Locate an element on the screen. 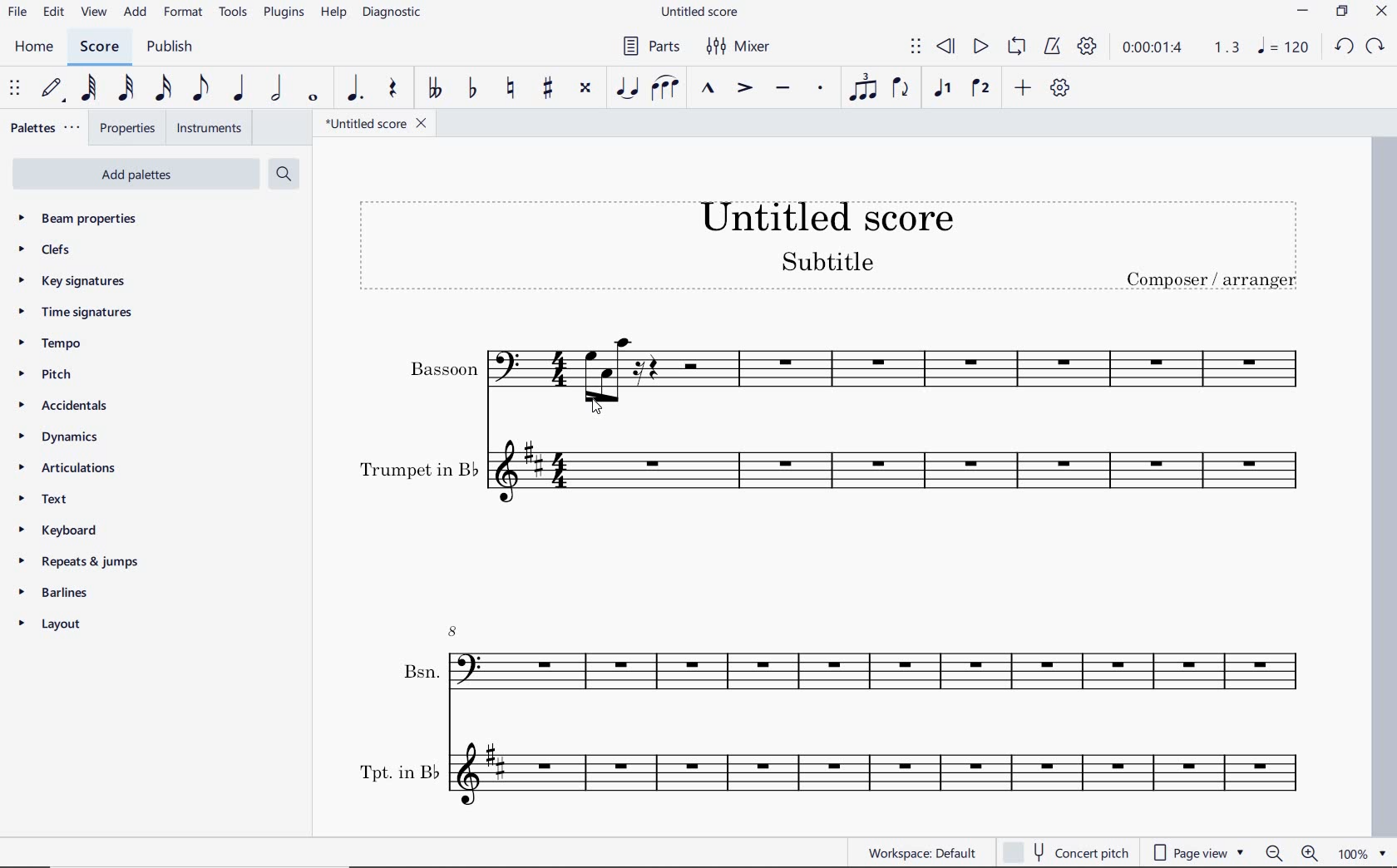 Image resolution: width=1397 pixels, height=868 pixels. default (step time) is located at coordinates (54, 88).